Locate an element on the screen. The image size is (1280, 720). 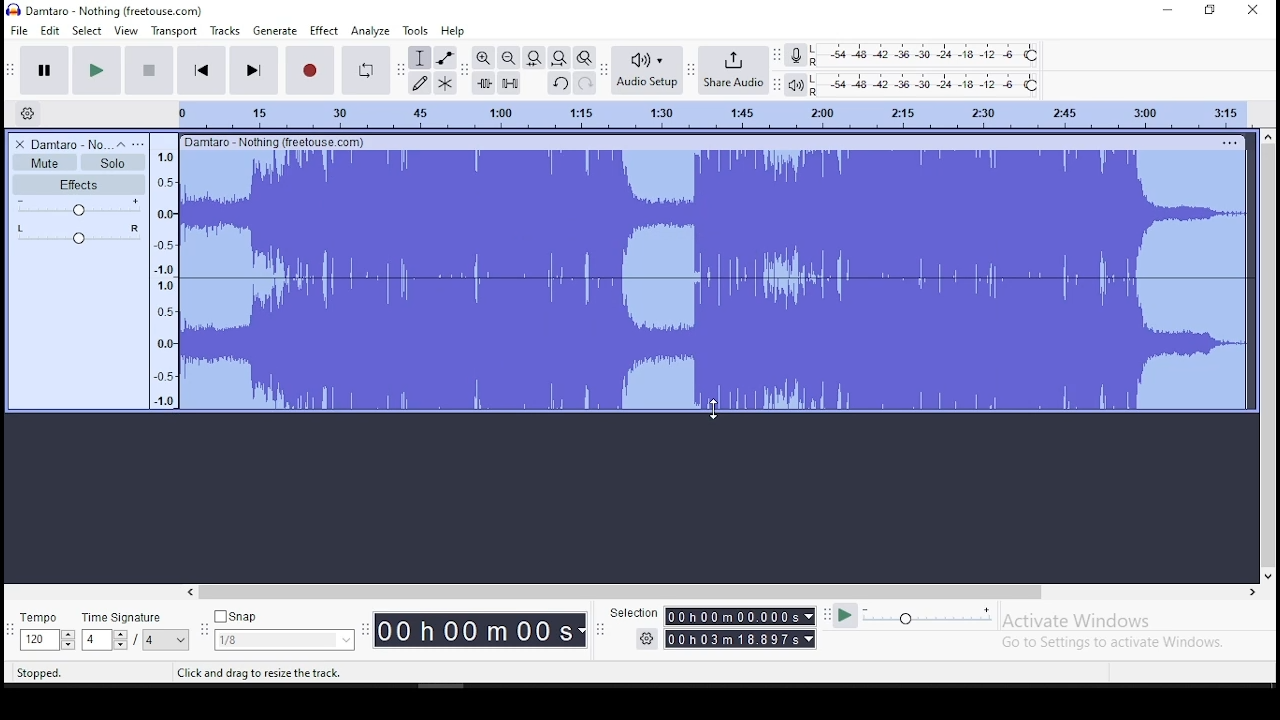
Audio Timeline is located at coordinates (697, 114).